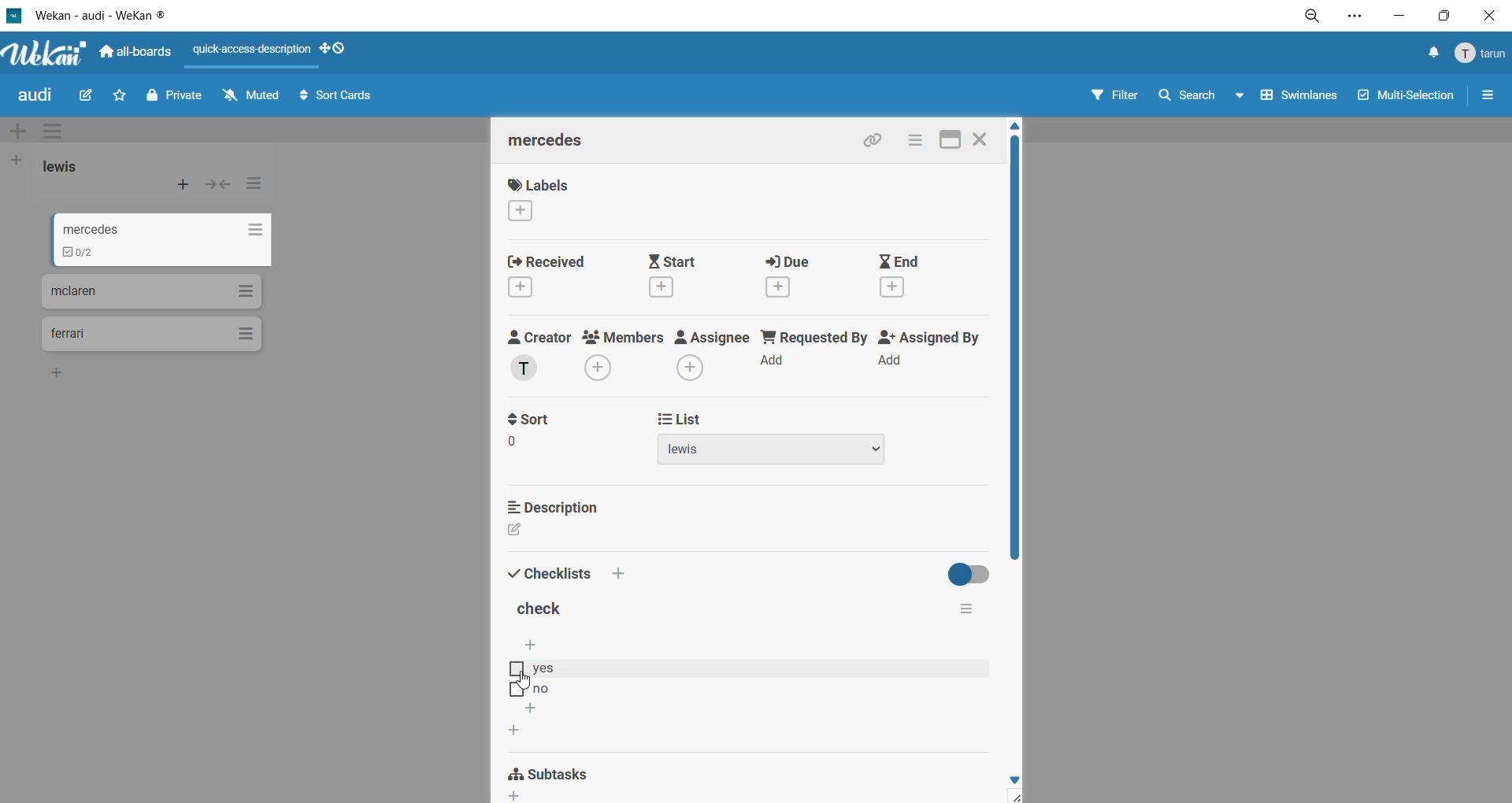 This screenshot has height=803, width=1512. What do you see at coordinates (168, 240) in the screenshot?
I see `cards` at bounding box center [168, 240].